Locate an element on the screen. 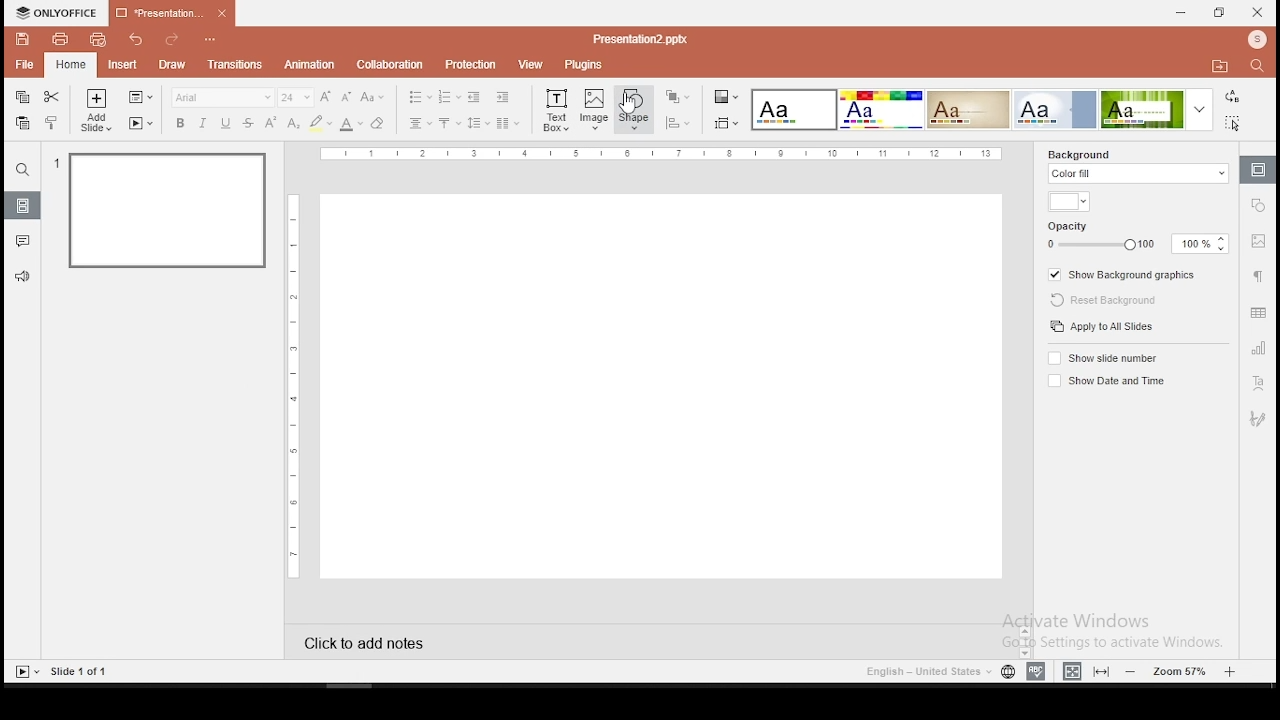 The image size is (1280, 720). background fill is located at coordinates (1139, 168).